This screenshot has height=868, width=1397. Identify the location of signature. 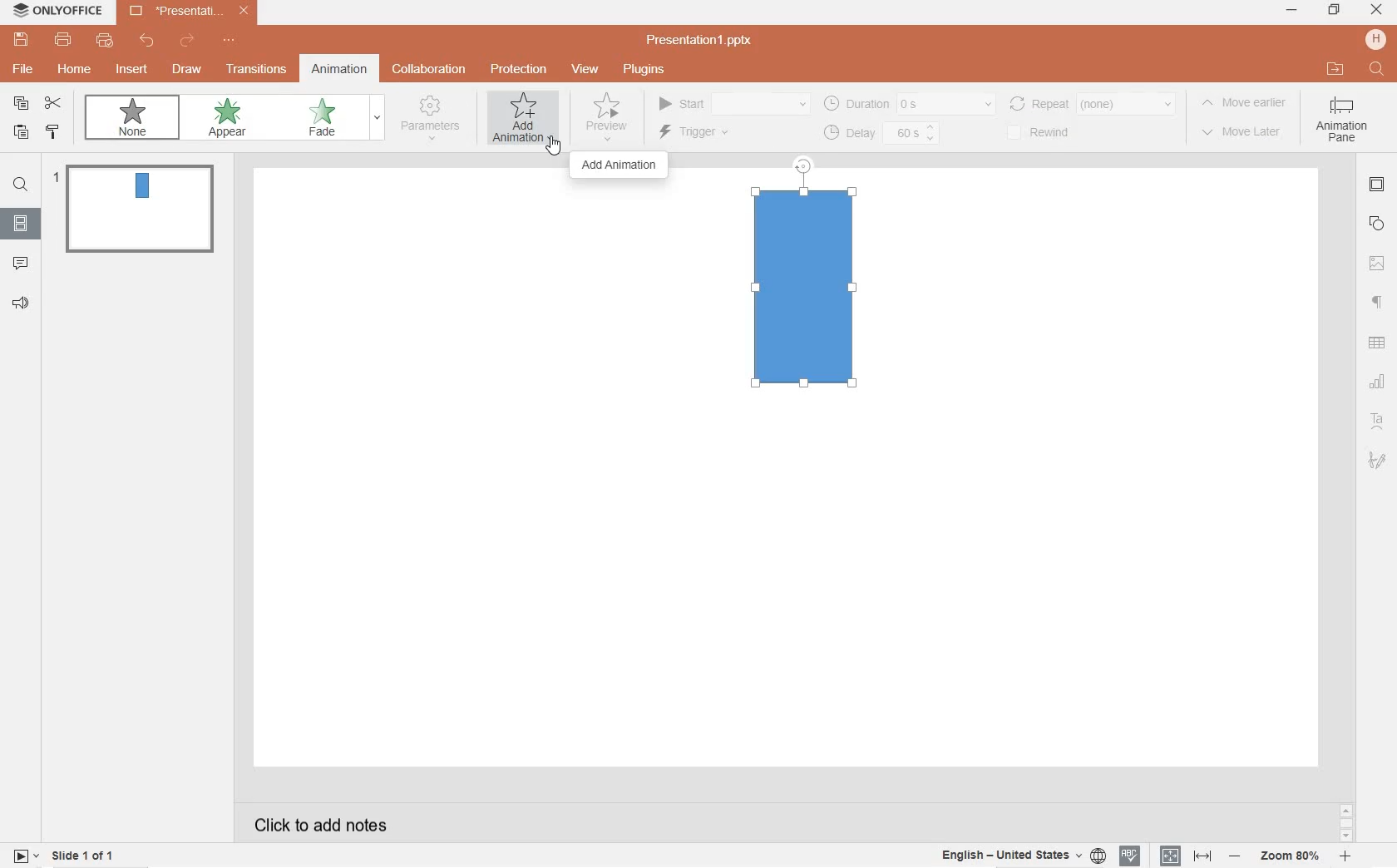
(1378, 460).